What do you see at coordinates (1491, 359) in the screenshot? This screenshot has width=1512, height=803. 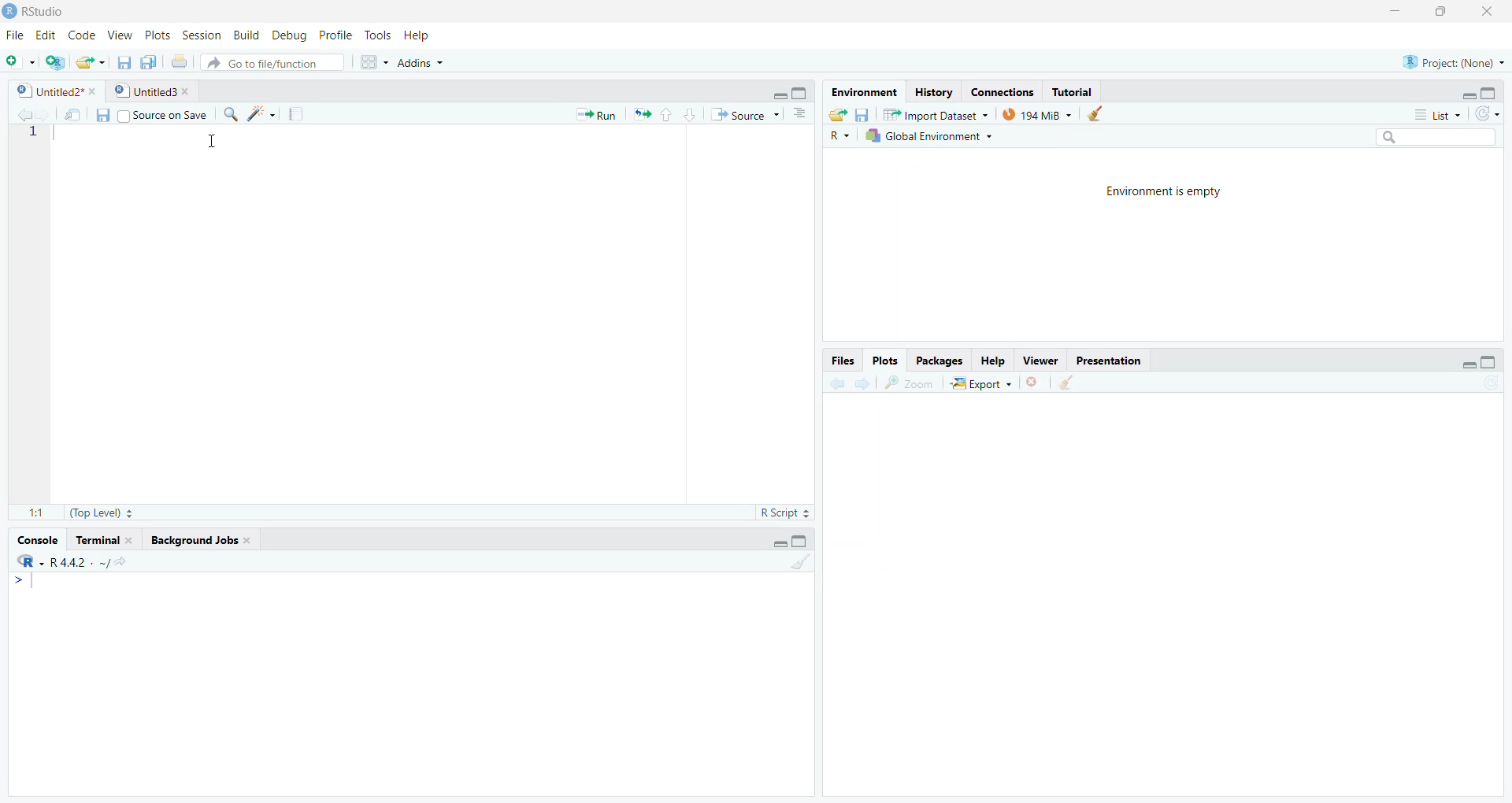 I see `Maximize` at bounding box center [1491, 359].